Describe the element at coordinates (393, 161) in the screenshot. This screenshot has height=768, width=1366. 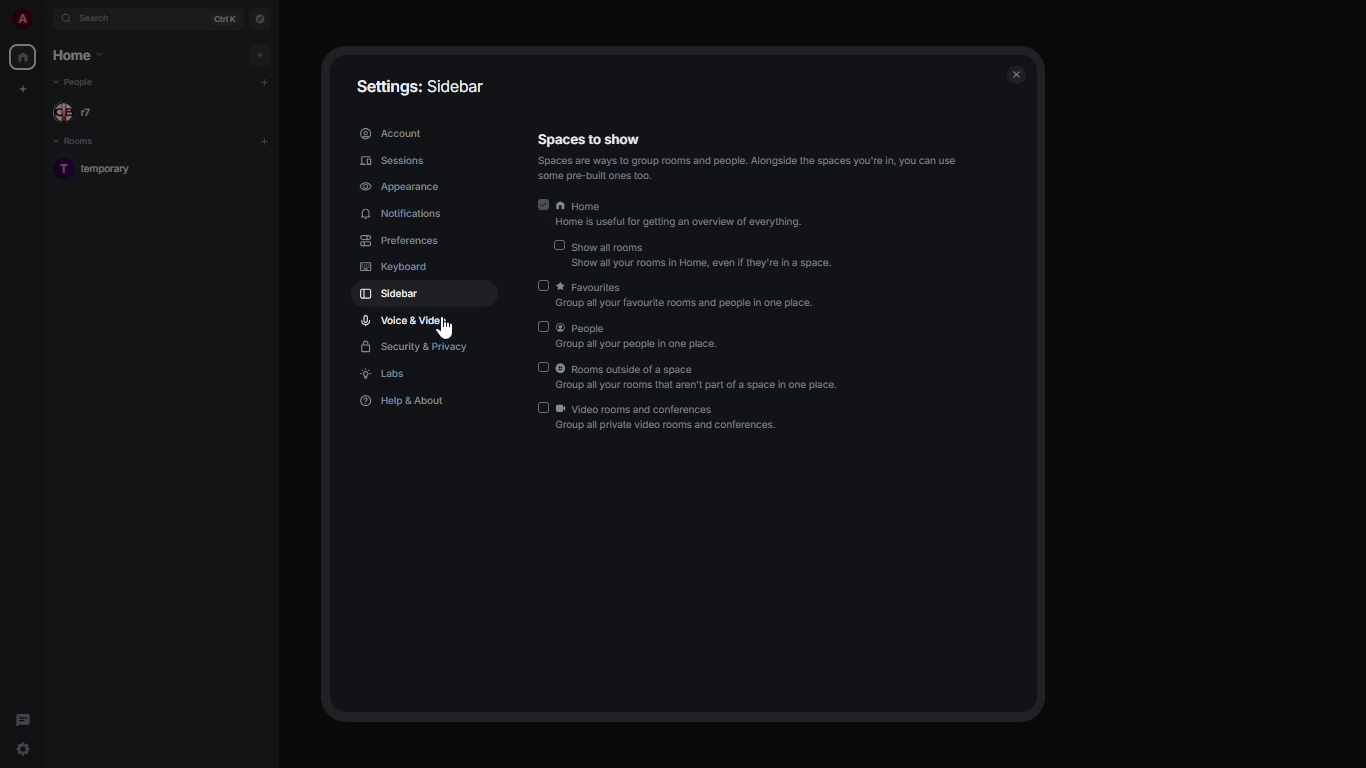
I see `sessions` at that location.